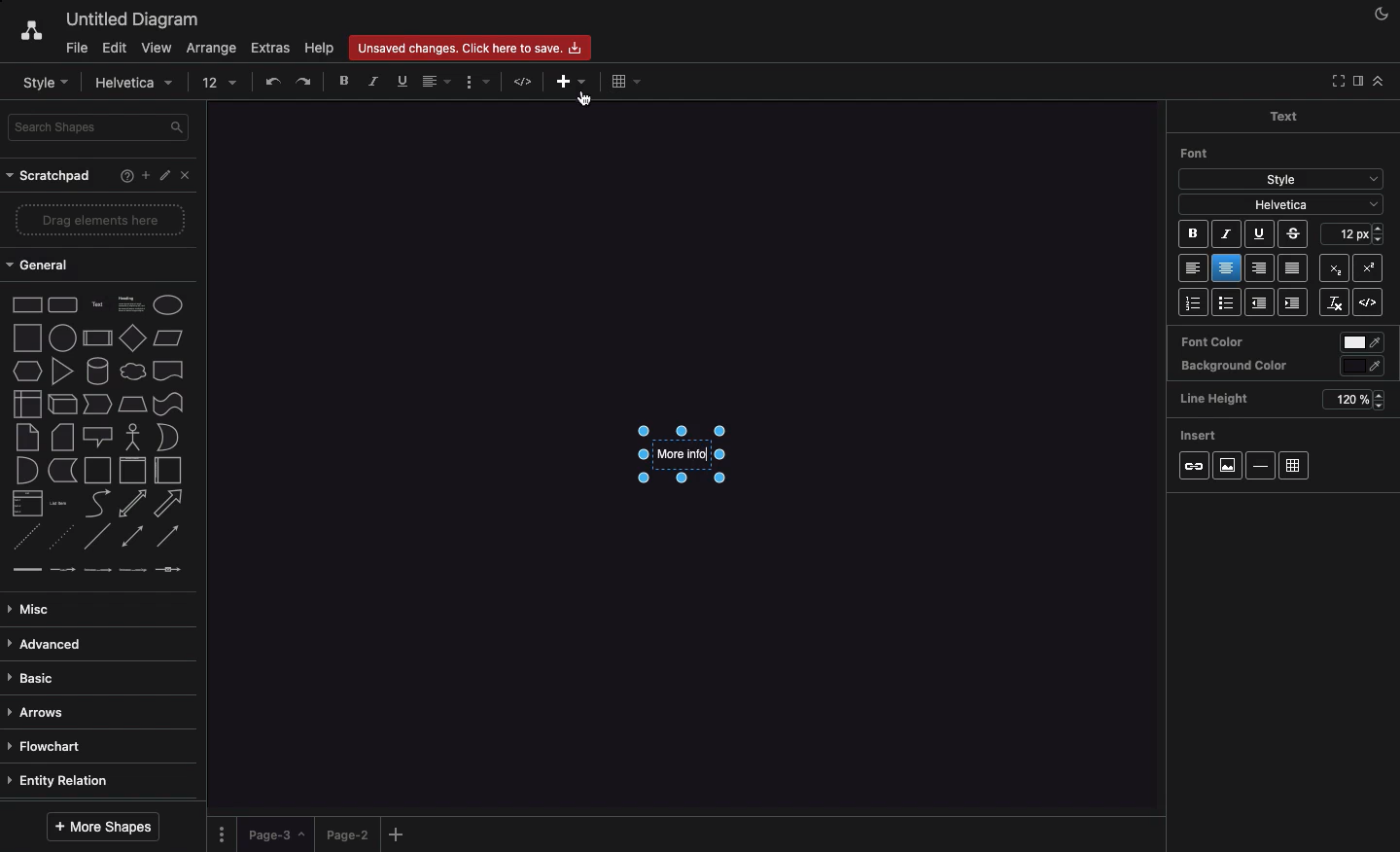 The image size is (1400, 852). What do you see at coordinates (97, 338) in the screenshot?
I see `process` at bounding box center [97, 338].